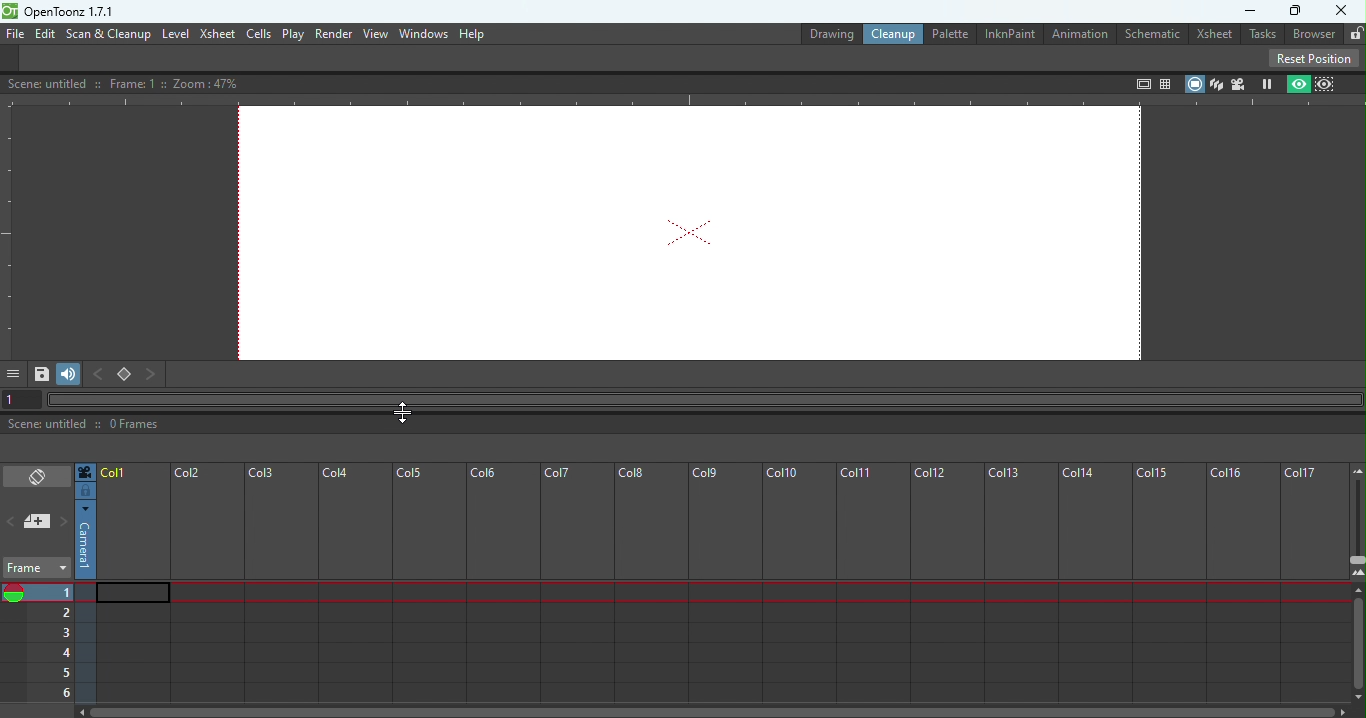  What do you see at coordinates (87, 542) in the screenshot?
I see `Click to select camera` at bounding box center [87, 542].